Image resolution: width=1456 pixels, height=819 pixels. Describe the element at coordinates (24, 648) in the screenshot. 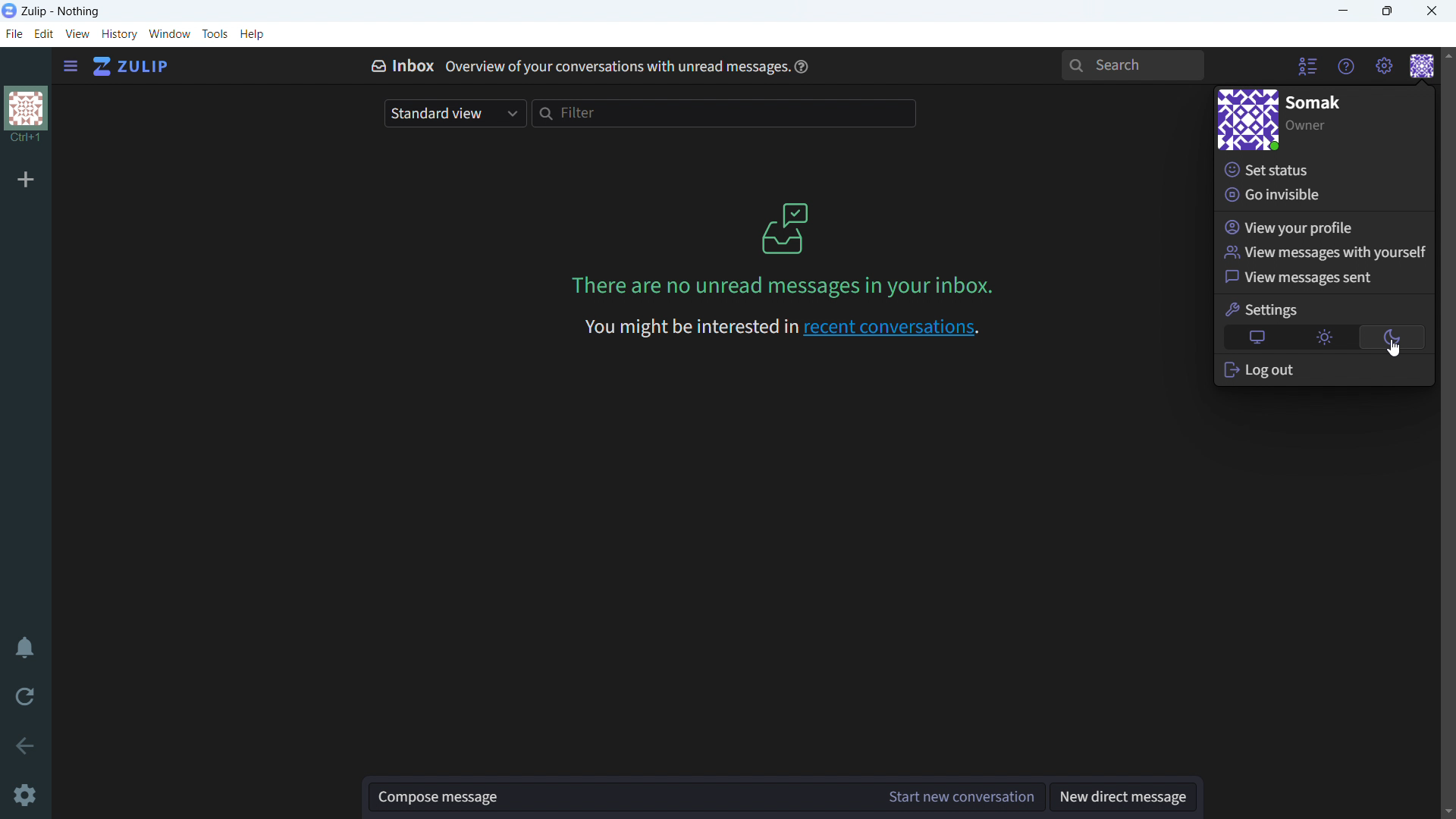

I see `enable do not disturb` at that location.